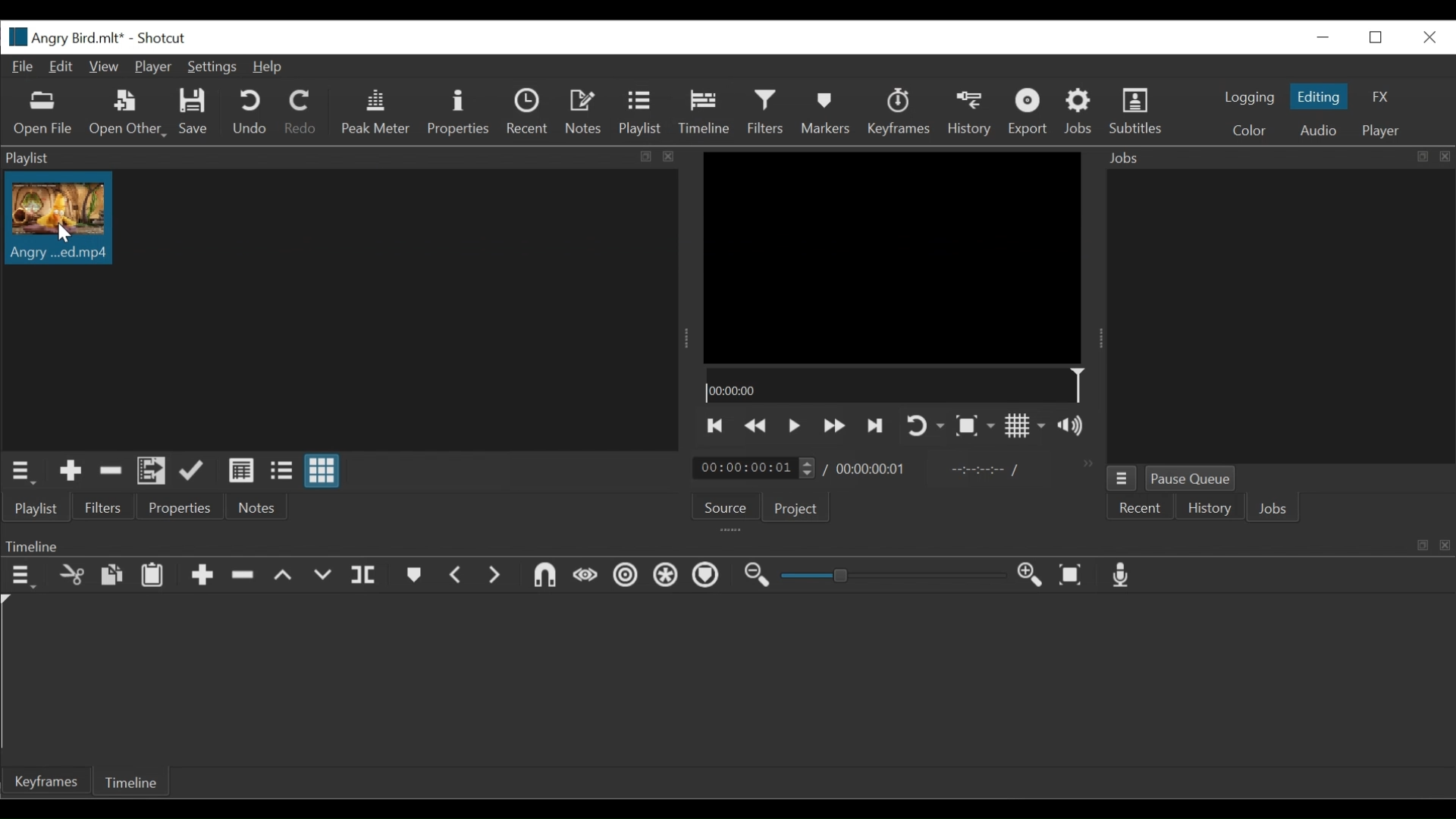 This screenshot has height=819, width=1456. I want to click on Append, so click(201, 574).